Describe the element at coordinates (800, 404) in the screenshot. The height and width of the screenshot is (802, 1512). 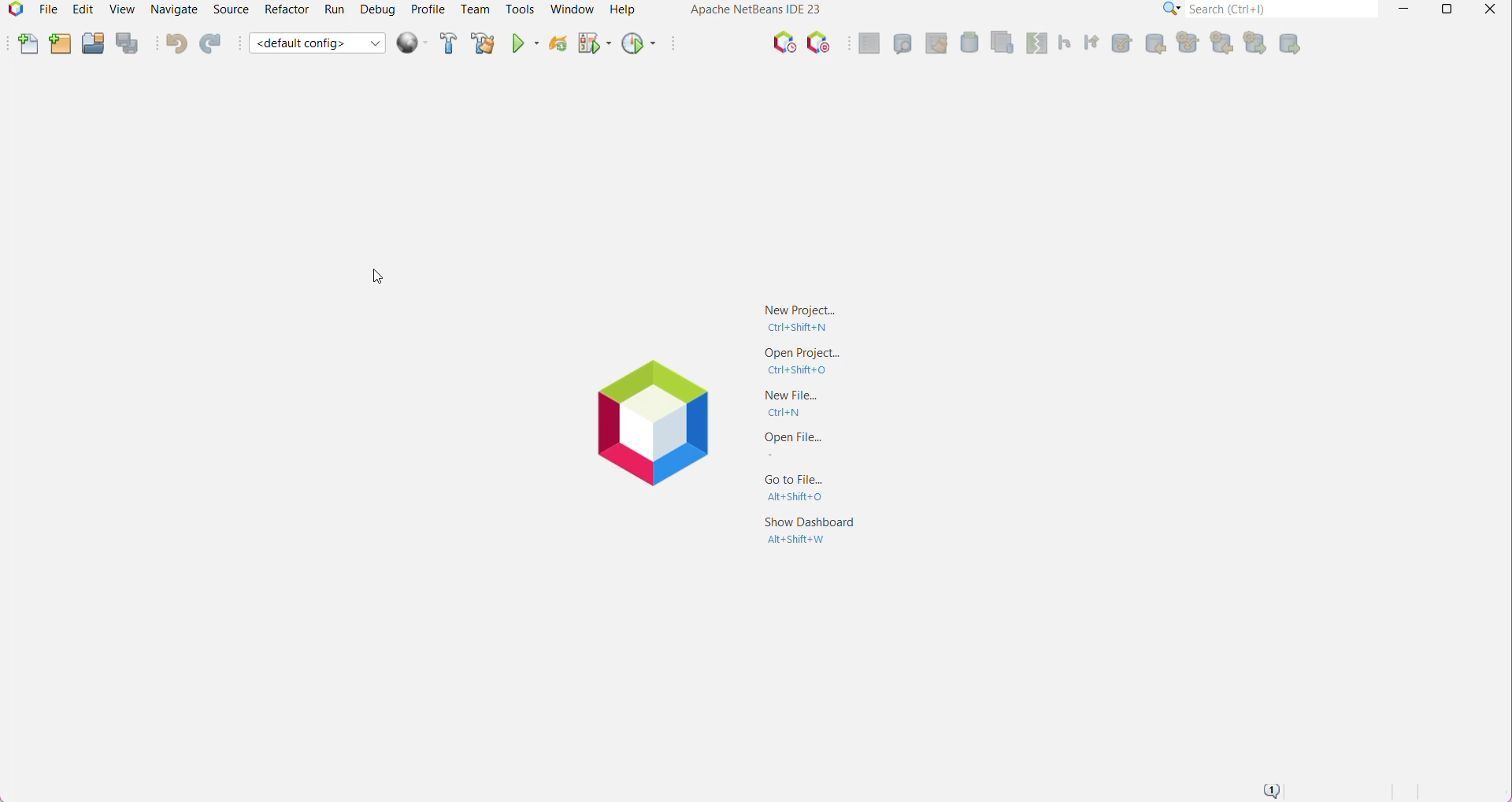
I see `New File` at that location.